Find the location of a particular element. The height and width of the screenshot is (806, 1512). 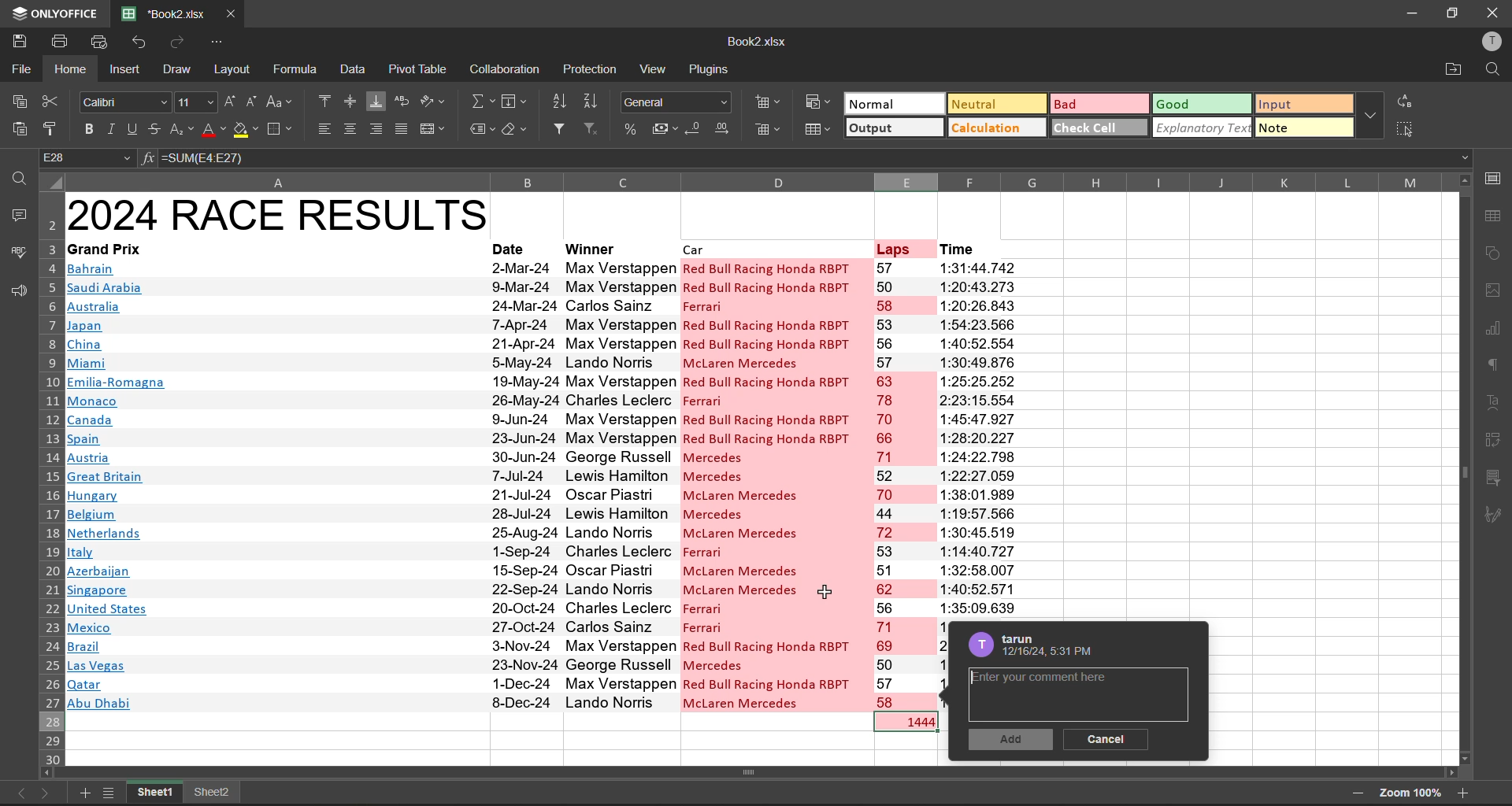

copy style is located at coordinates (51, 129).